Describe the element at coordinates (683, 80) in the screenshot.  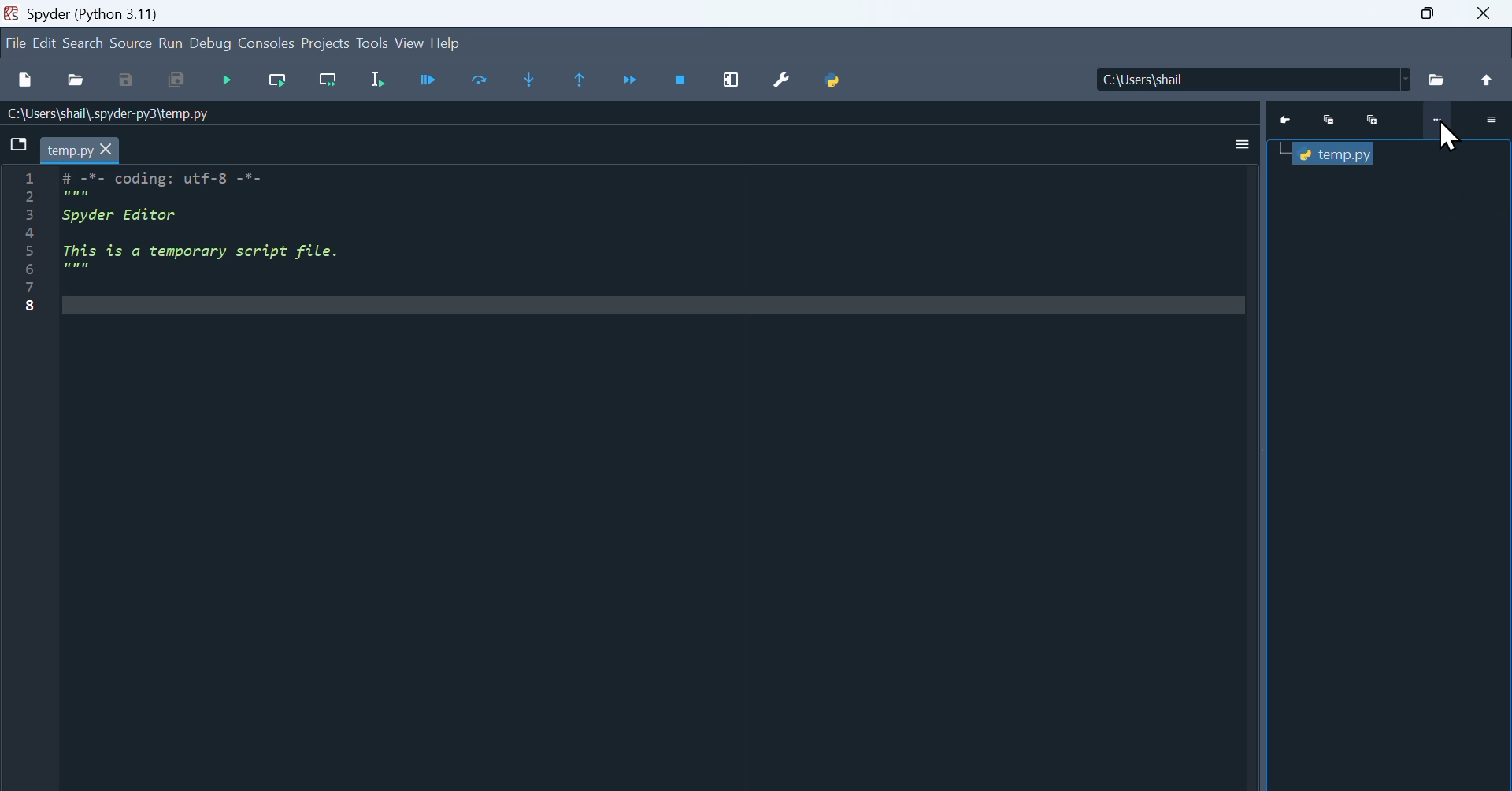
I see `Stop debugging` at that location.